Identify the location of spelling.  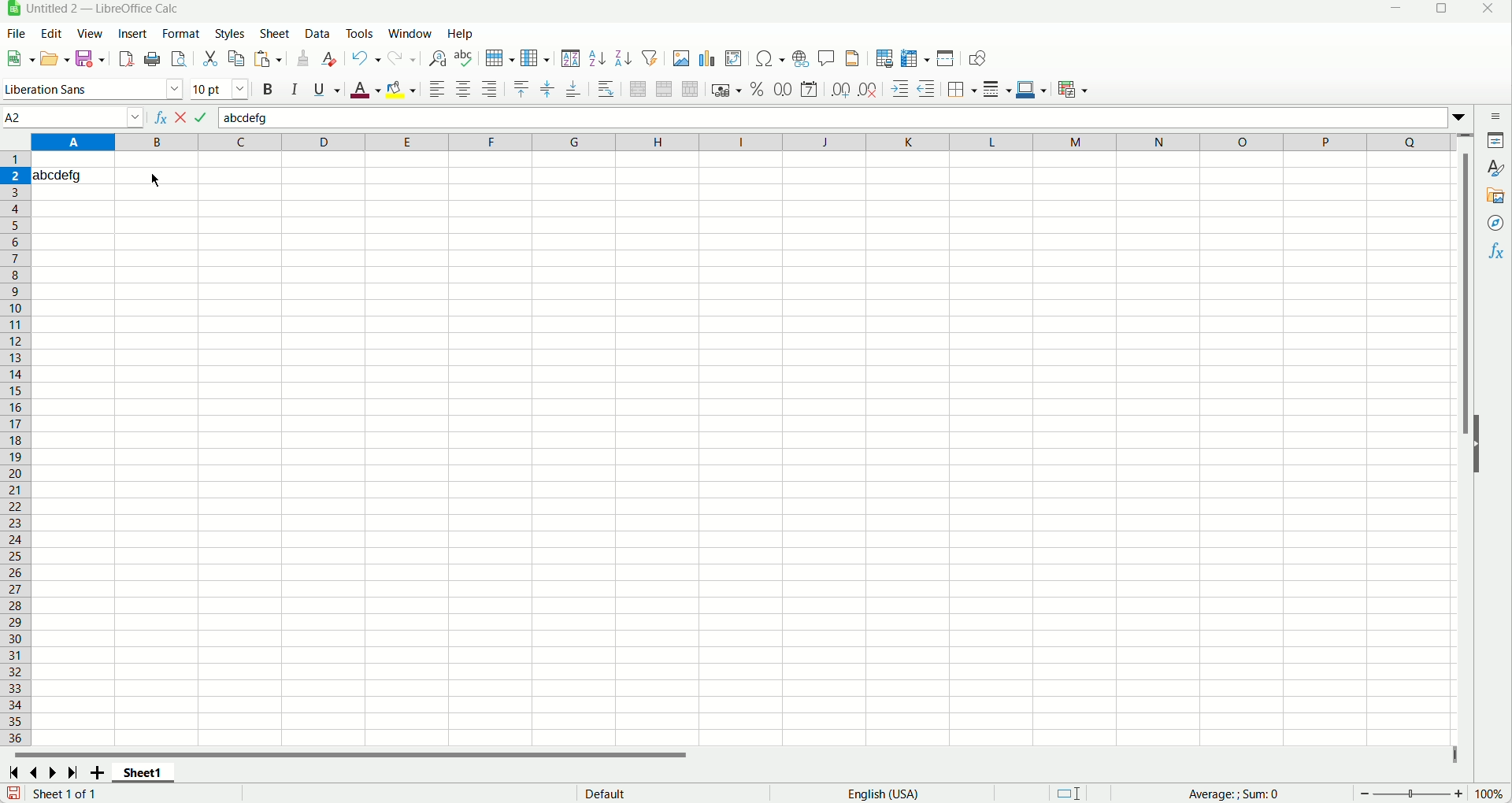
(463, 58).